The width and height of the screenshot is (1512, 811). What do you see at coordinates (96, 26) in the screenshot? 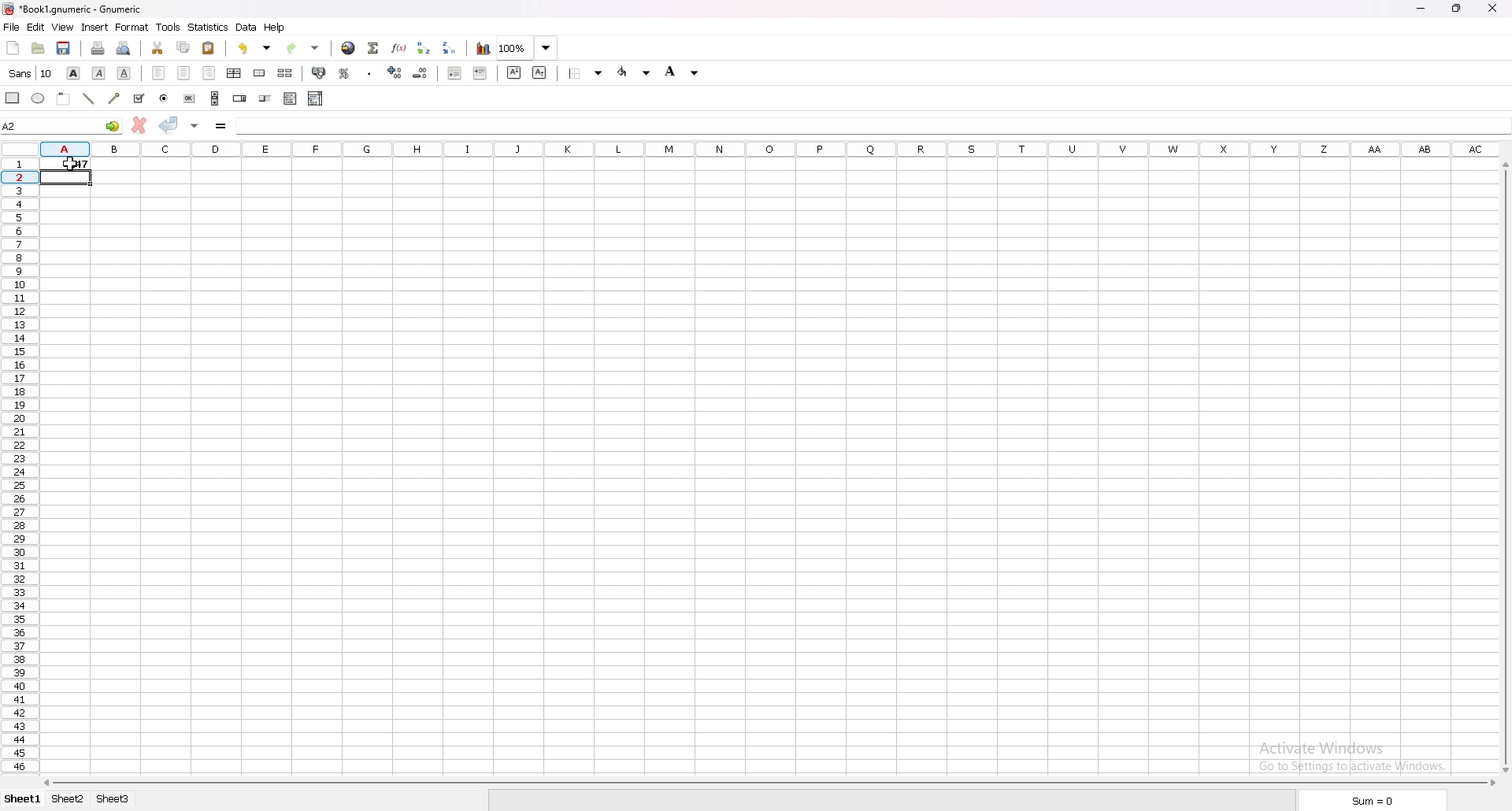
I see `insert` at bounding box center [96, 26].